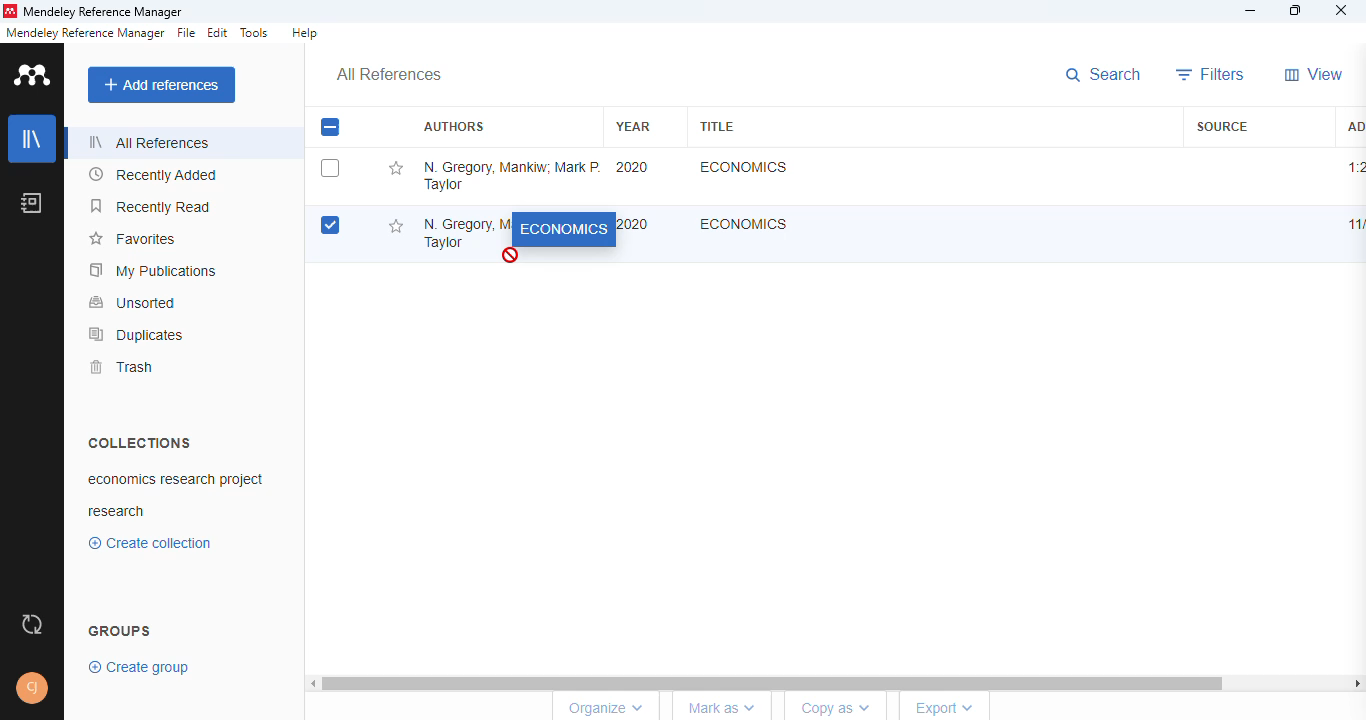 This screenshot has height=720, width=1366. What do you see at coordinates (121, 629) in the screenshot?
I see `groups` at bounding box center [121, 629].